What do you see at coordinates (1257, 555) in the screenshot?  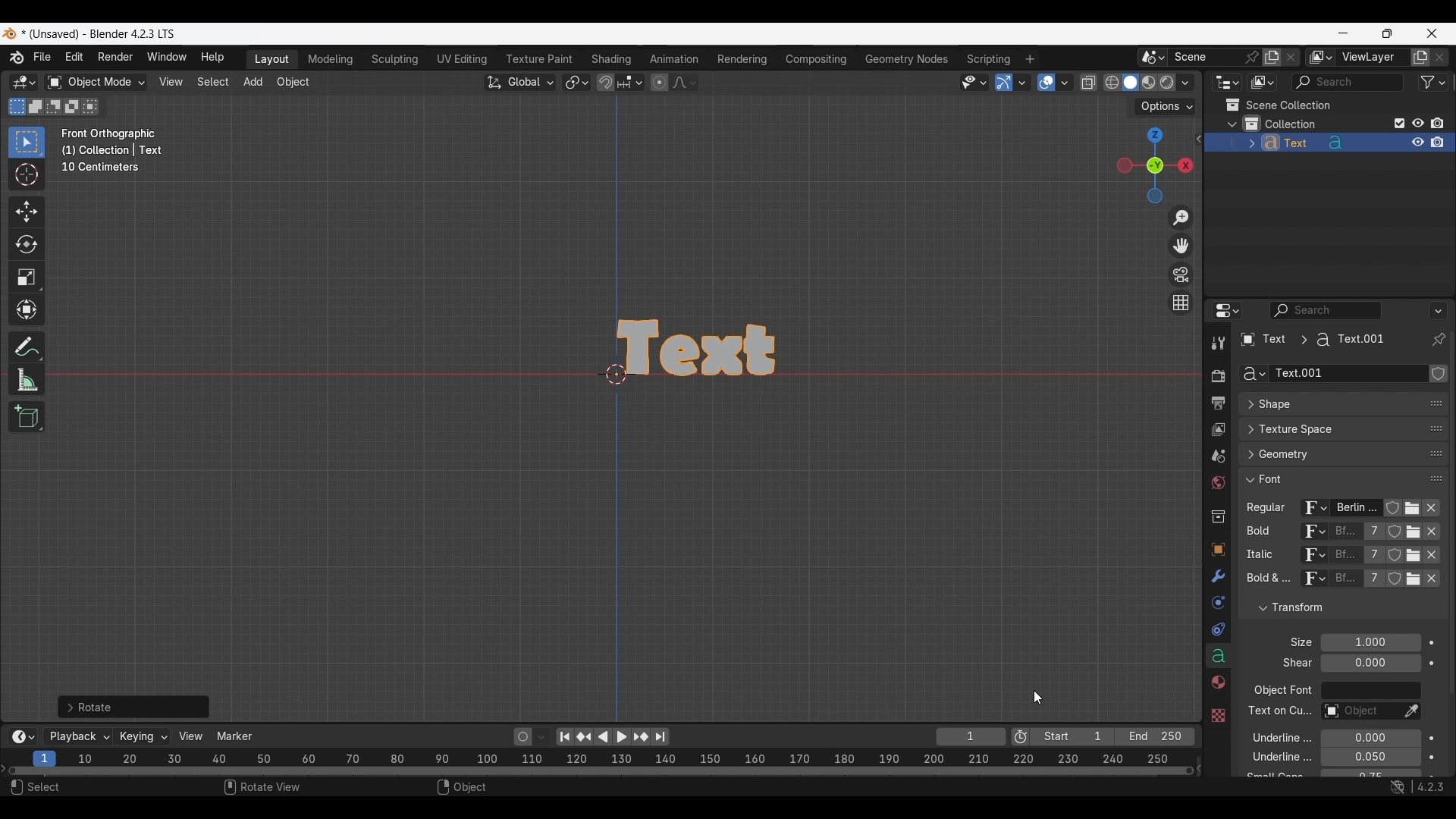 I see `italic` at bounding box center [1257, 555].